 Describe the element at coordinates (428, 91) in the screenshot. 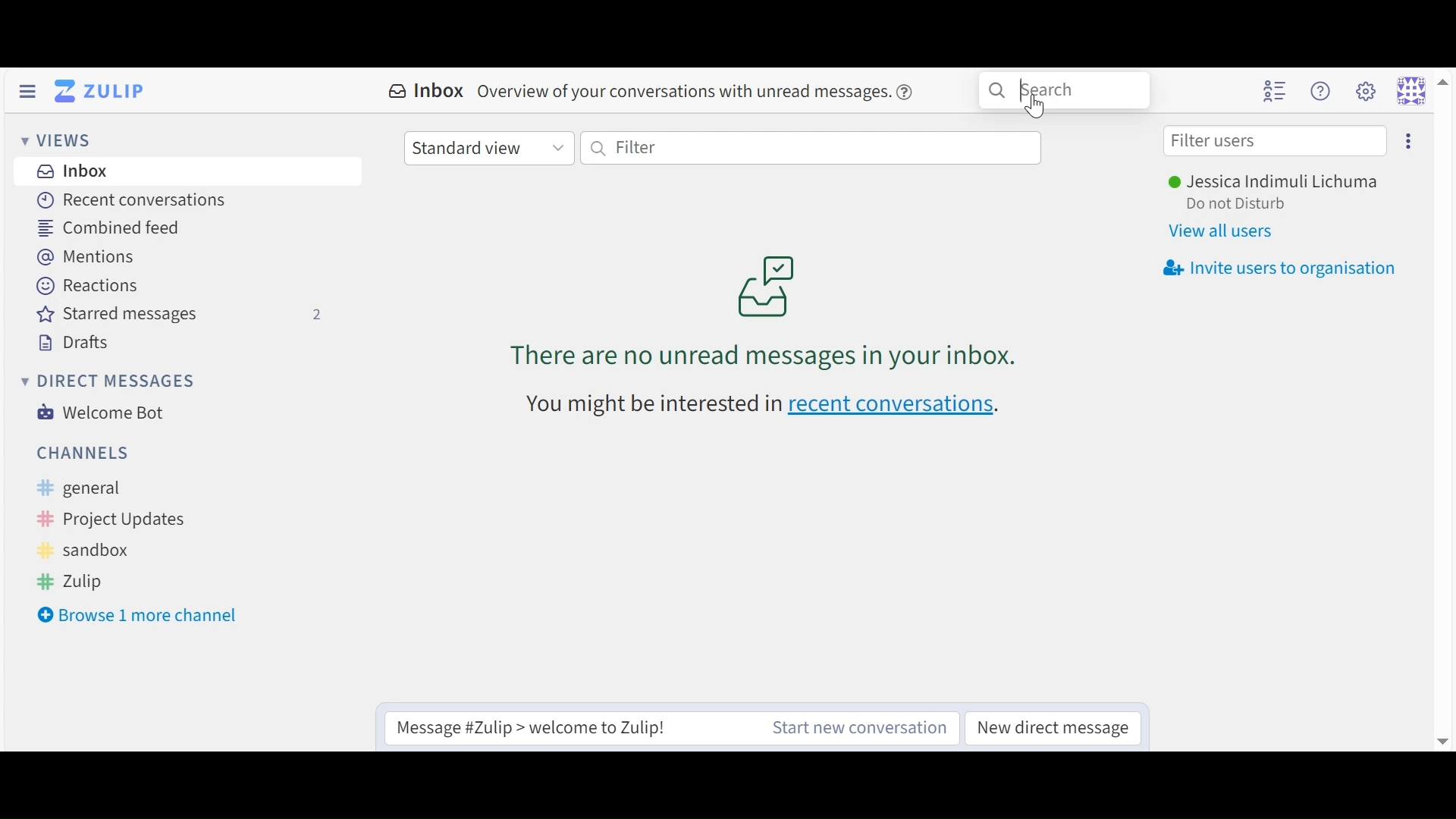

I see `Inbox` at that location.